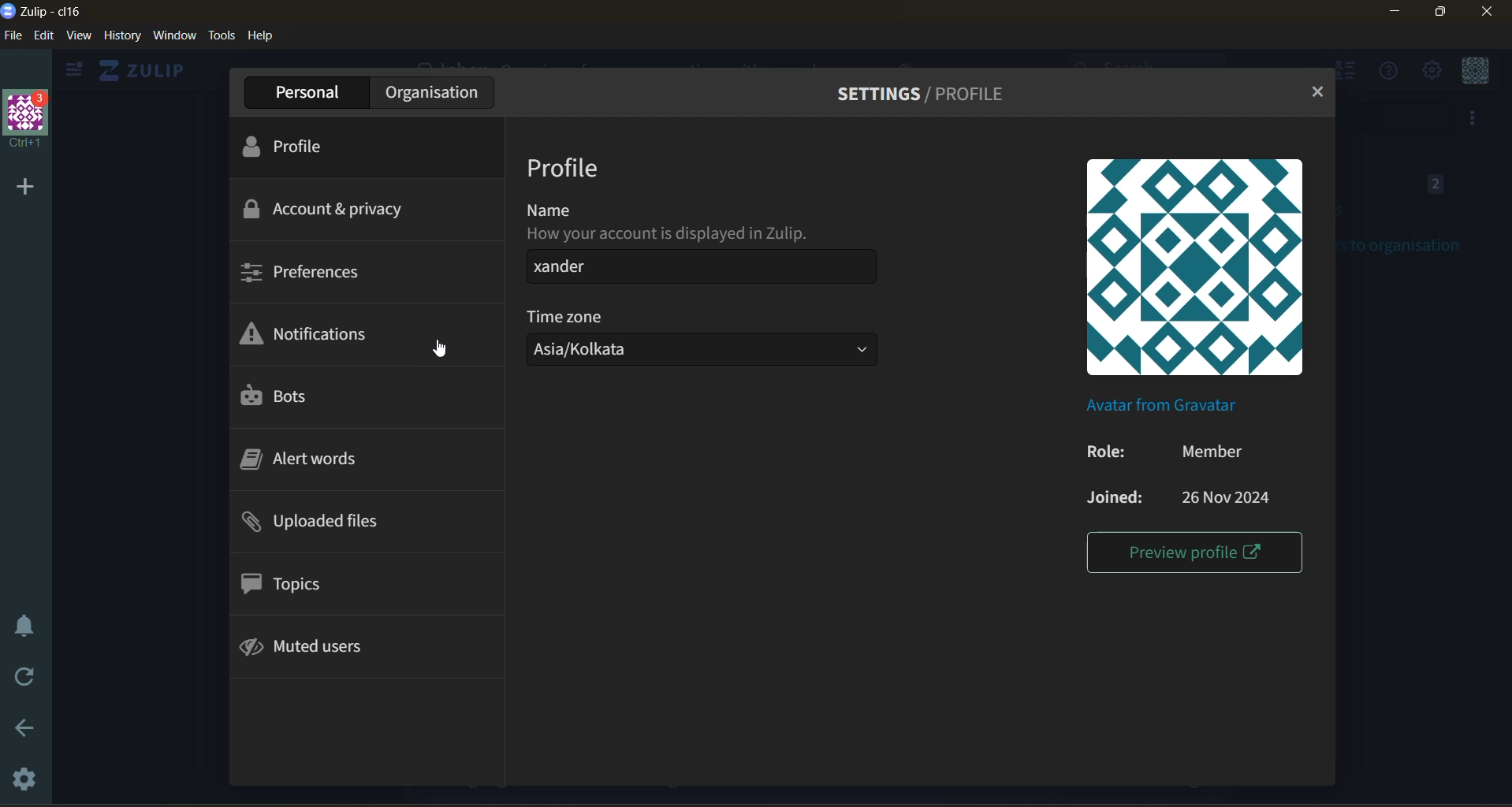 Image resolution: width=1512 pixels, height=807 pixels. What do you see at coordinates (304, 93) in the screenshot?
I see `personal` at bounding box center [304, 93].